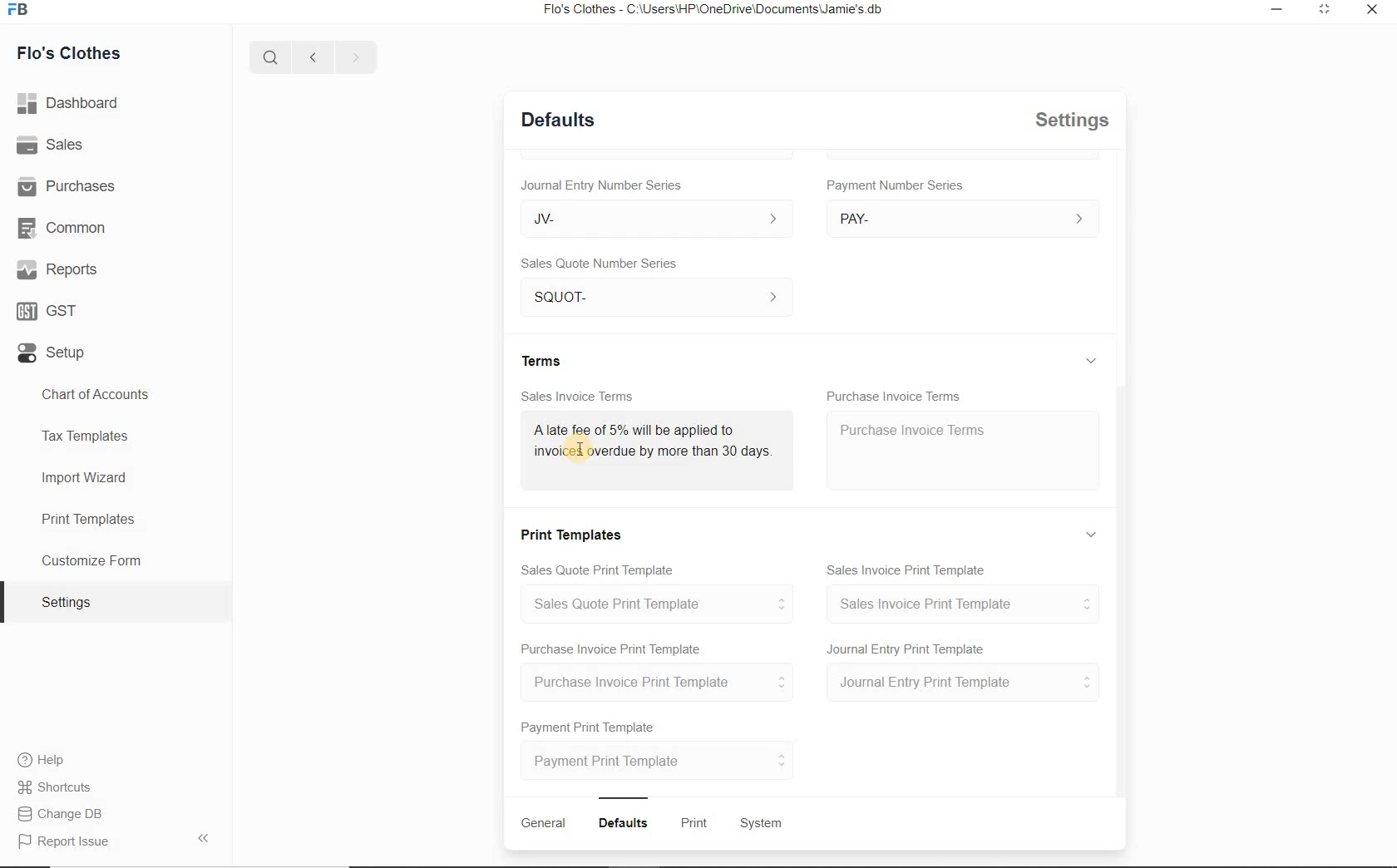 The width and height of the screenshot is (1397, 868). I want to click on Sales Invoice Print Template, so click(909, 567).